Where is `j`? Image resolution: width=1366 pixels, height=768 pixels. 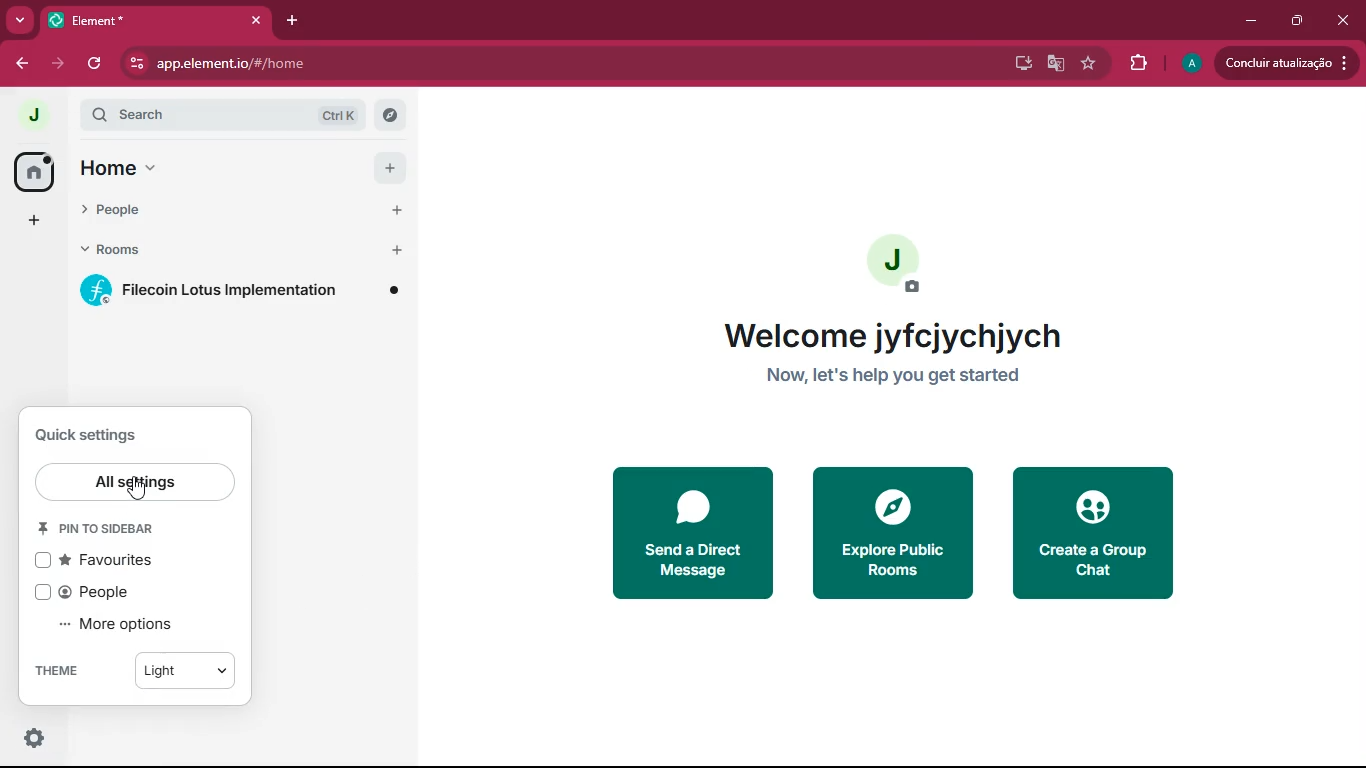 j is located at coordinates (24, 115).